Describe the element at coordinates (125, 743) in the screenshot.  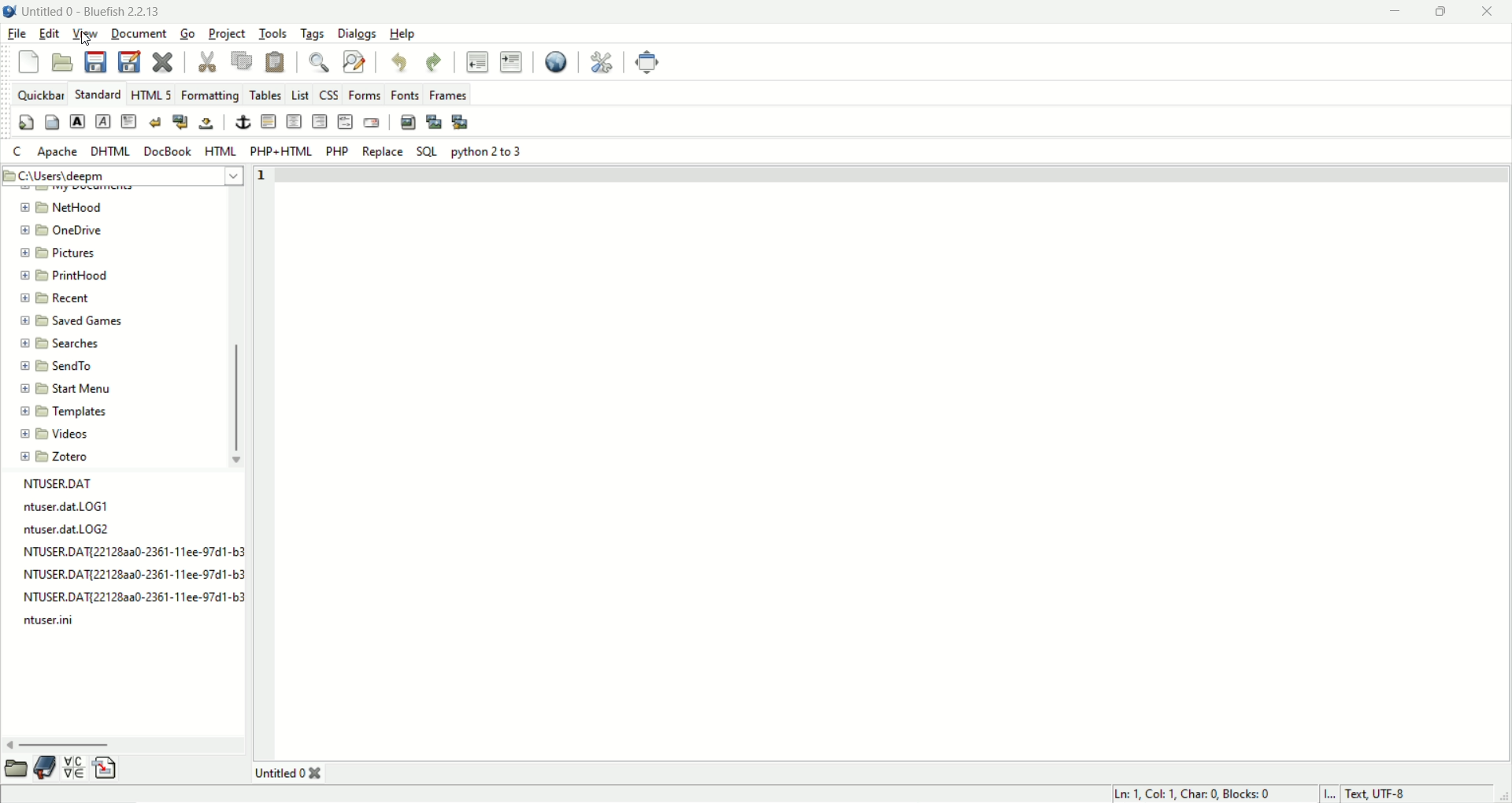
I see `horizontal scroll bar` at that location.